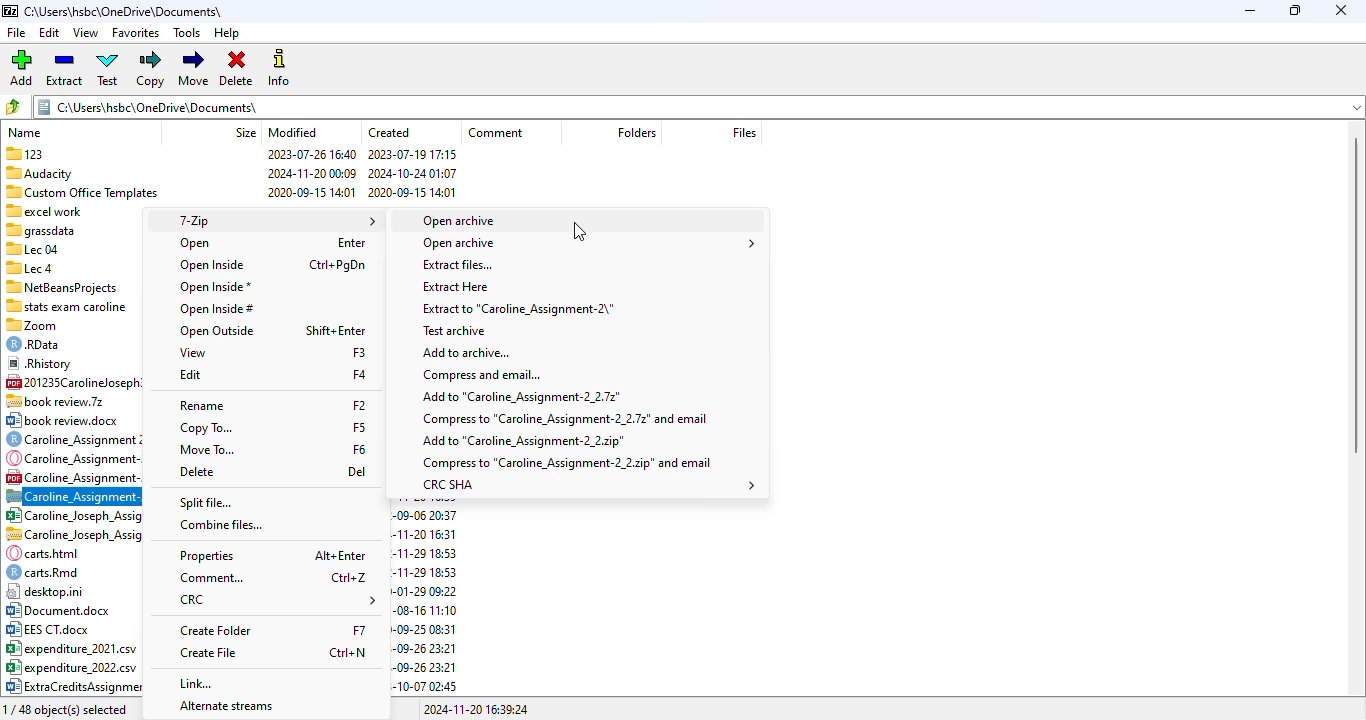  I want to click on shortcut for properties, so click(341, 554).